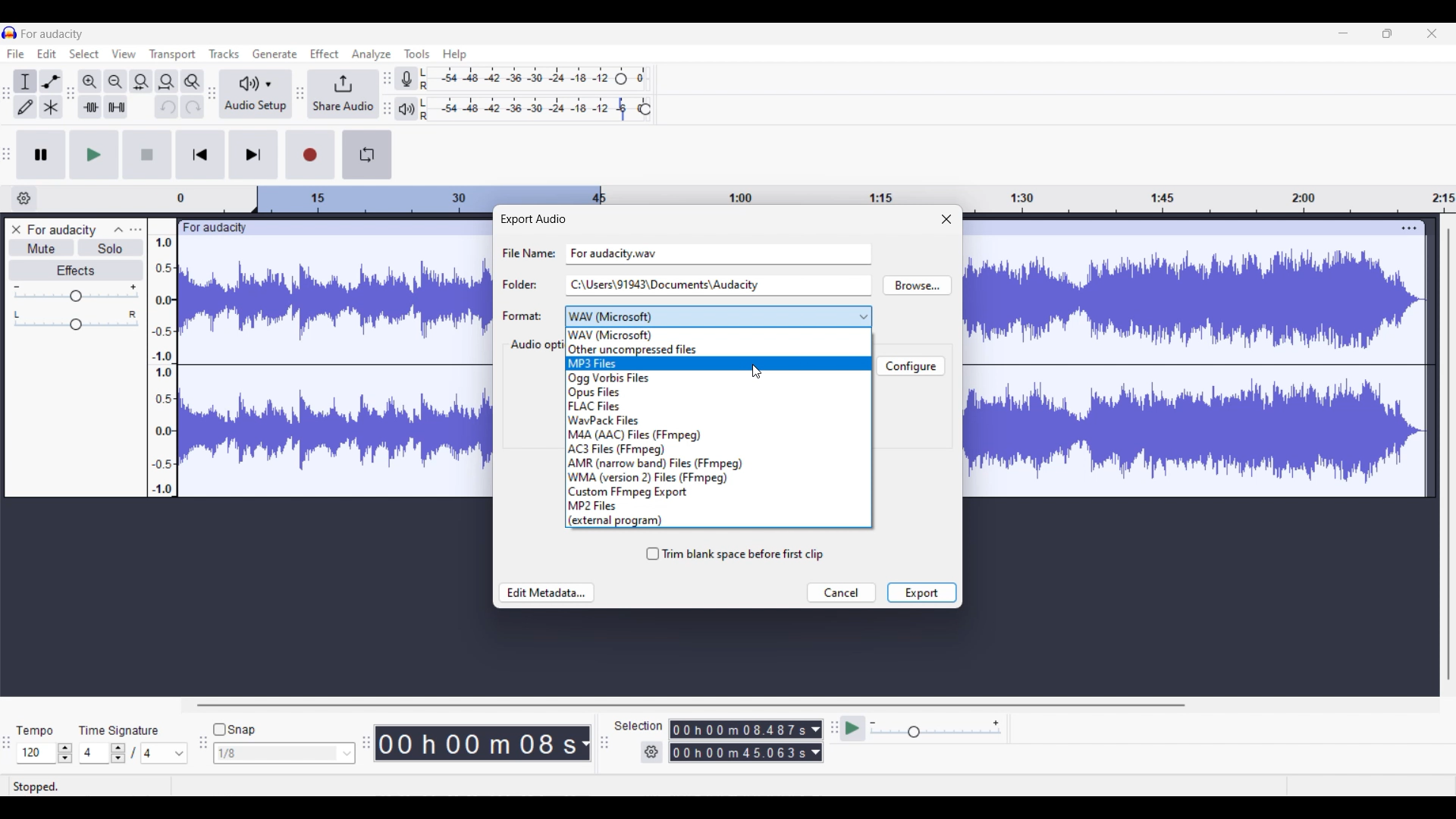 The height and width of the screenshot is (819, 1456). What do you see at coordinates (718, 520) in the screenshot?
I see `(external program)` at bounding box center [718, 520].